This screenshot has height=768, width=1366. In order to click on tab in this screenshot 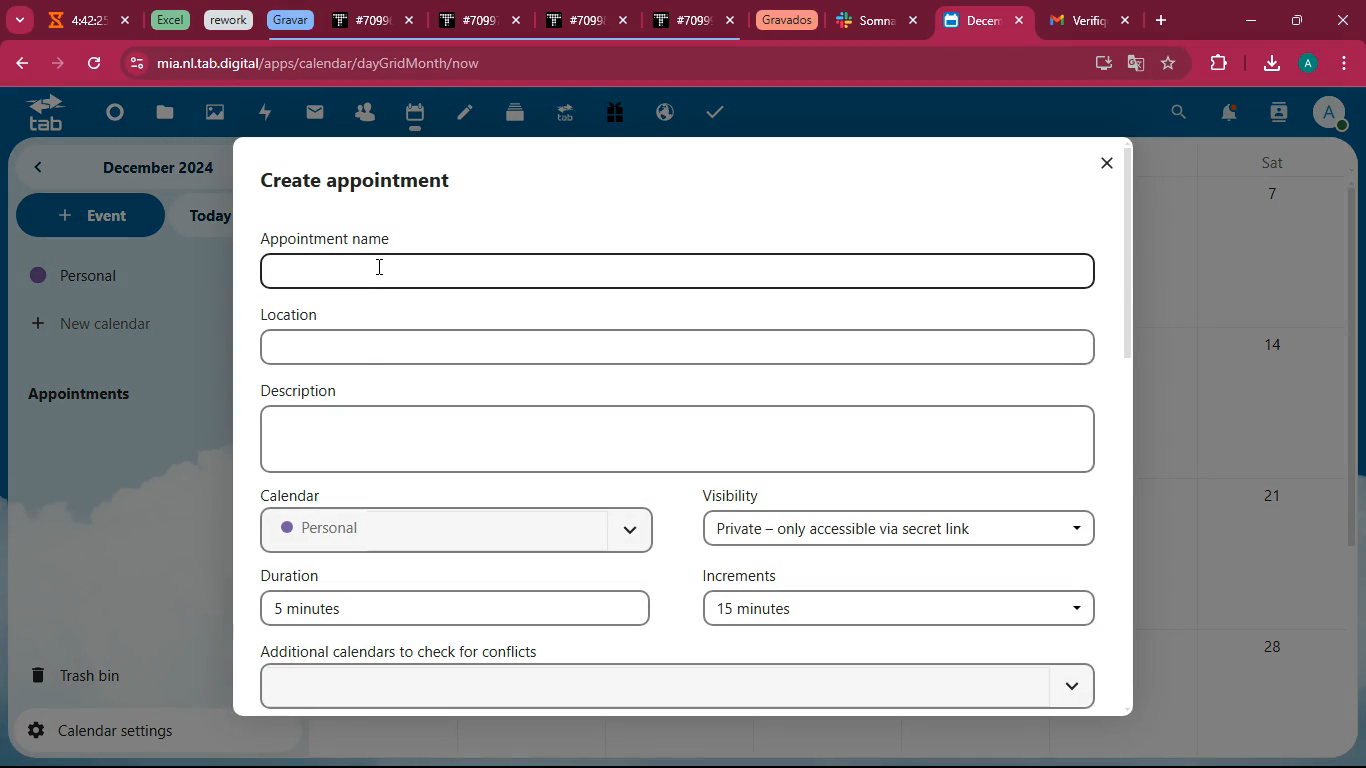, I will do `click(573, 22)`.